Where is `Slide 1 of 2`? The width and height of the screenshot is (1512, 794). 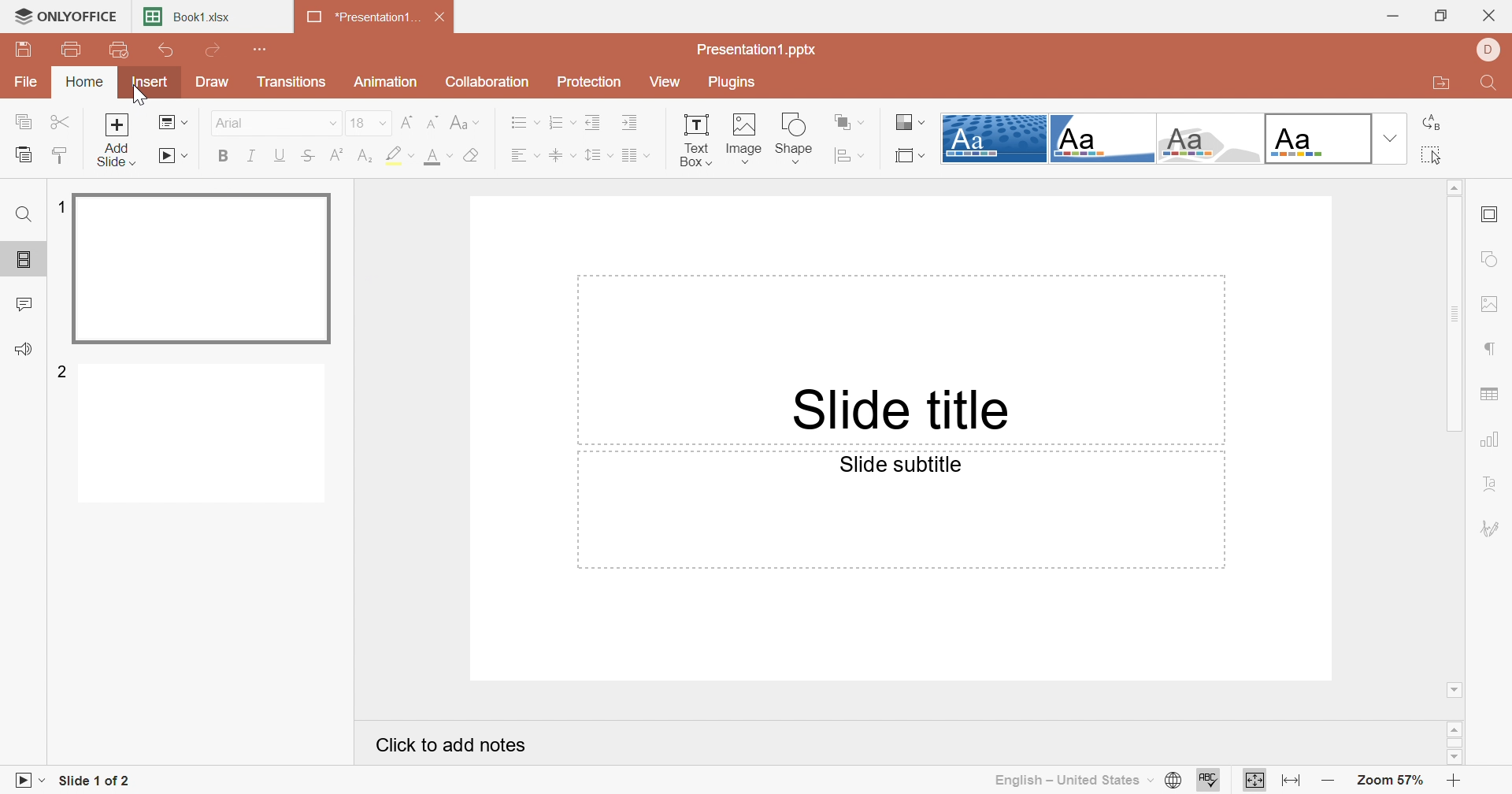
Slide 1 of 2 is located at coordinates (96, 783).